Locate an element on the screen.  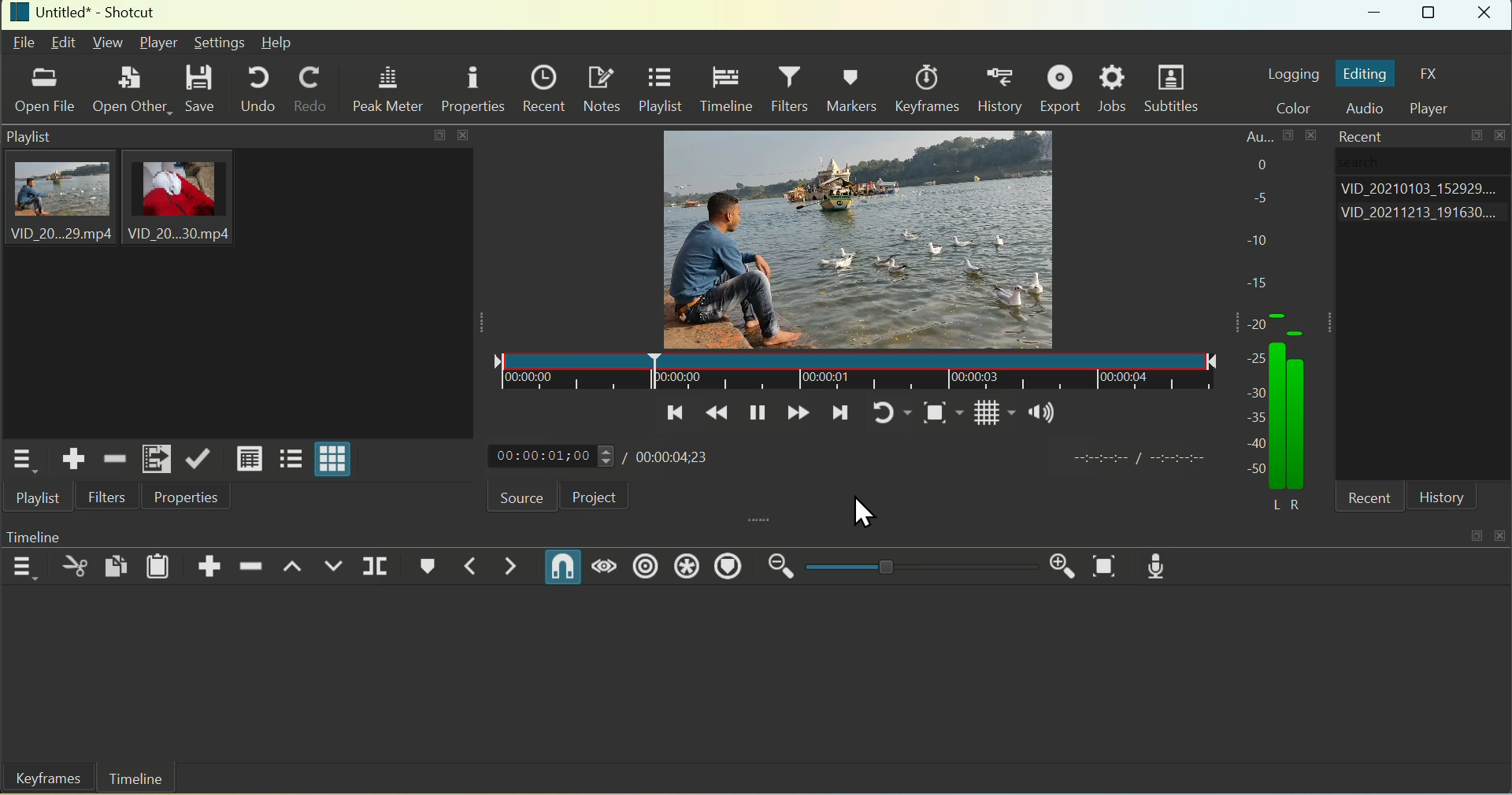
Playlist tab is located at coordinates (235, 283).